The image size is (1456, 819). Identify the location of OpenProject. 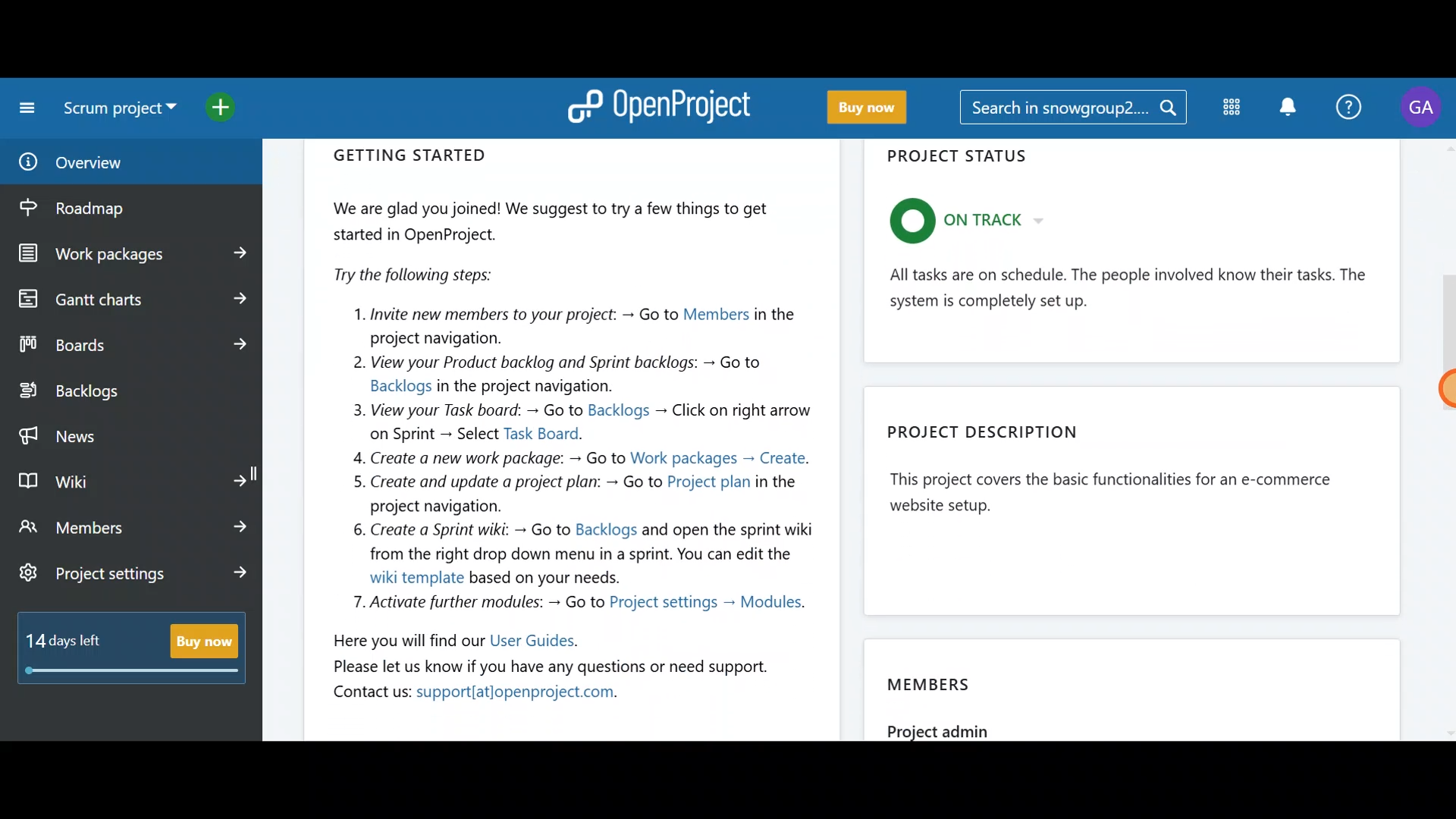
(664, 105).